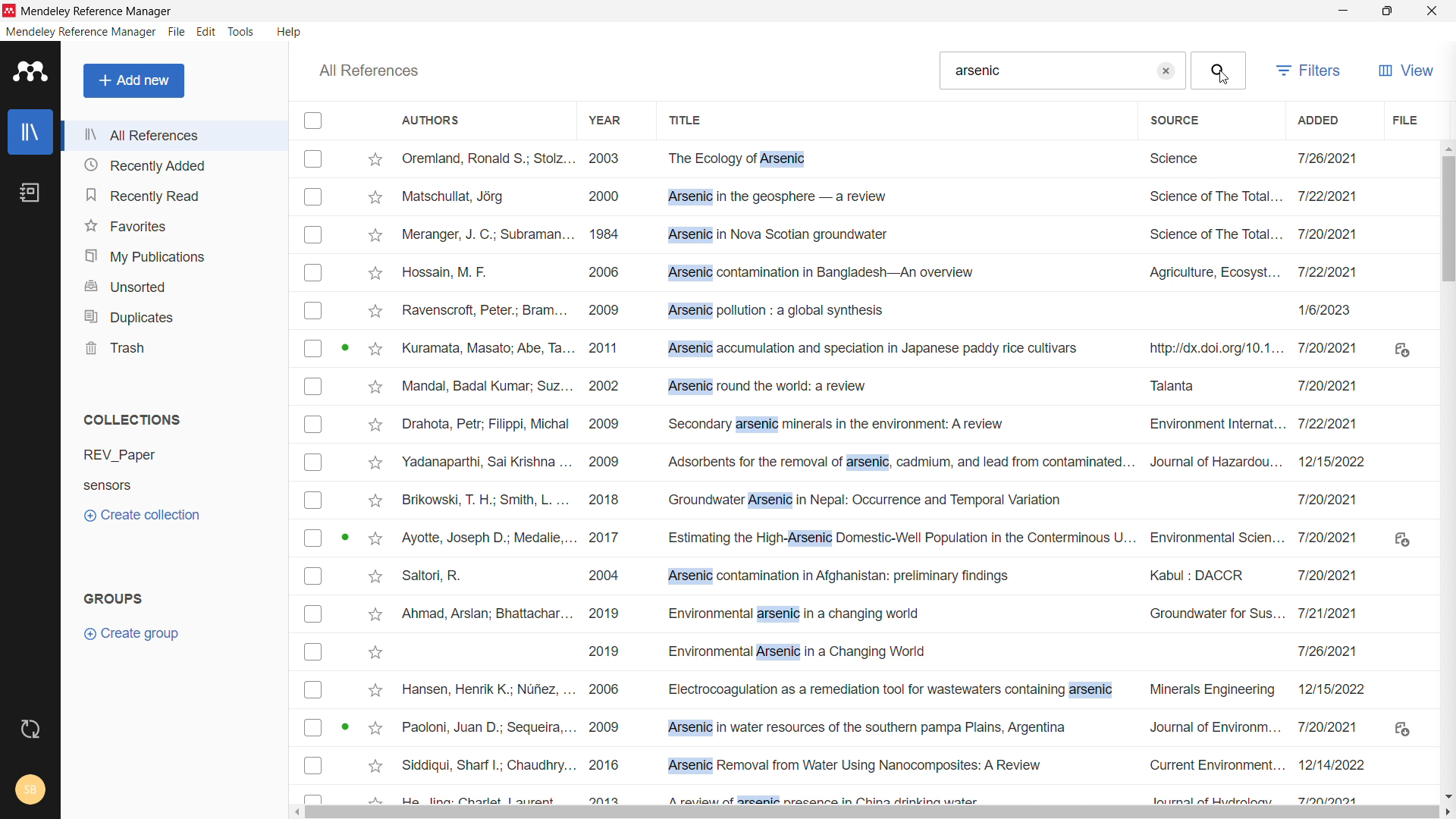 This screenshot has width=1456, height=819. What do you see at coordinates (173, 348) in the screenshot?
I see `trash` at bounding box center [173, 348].